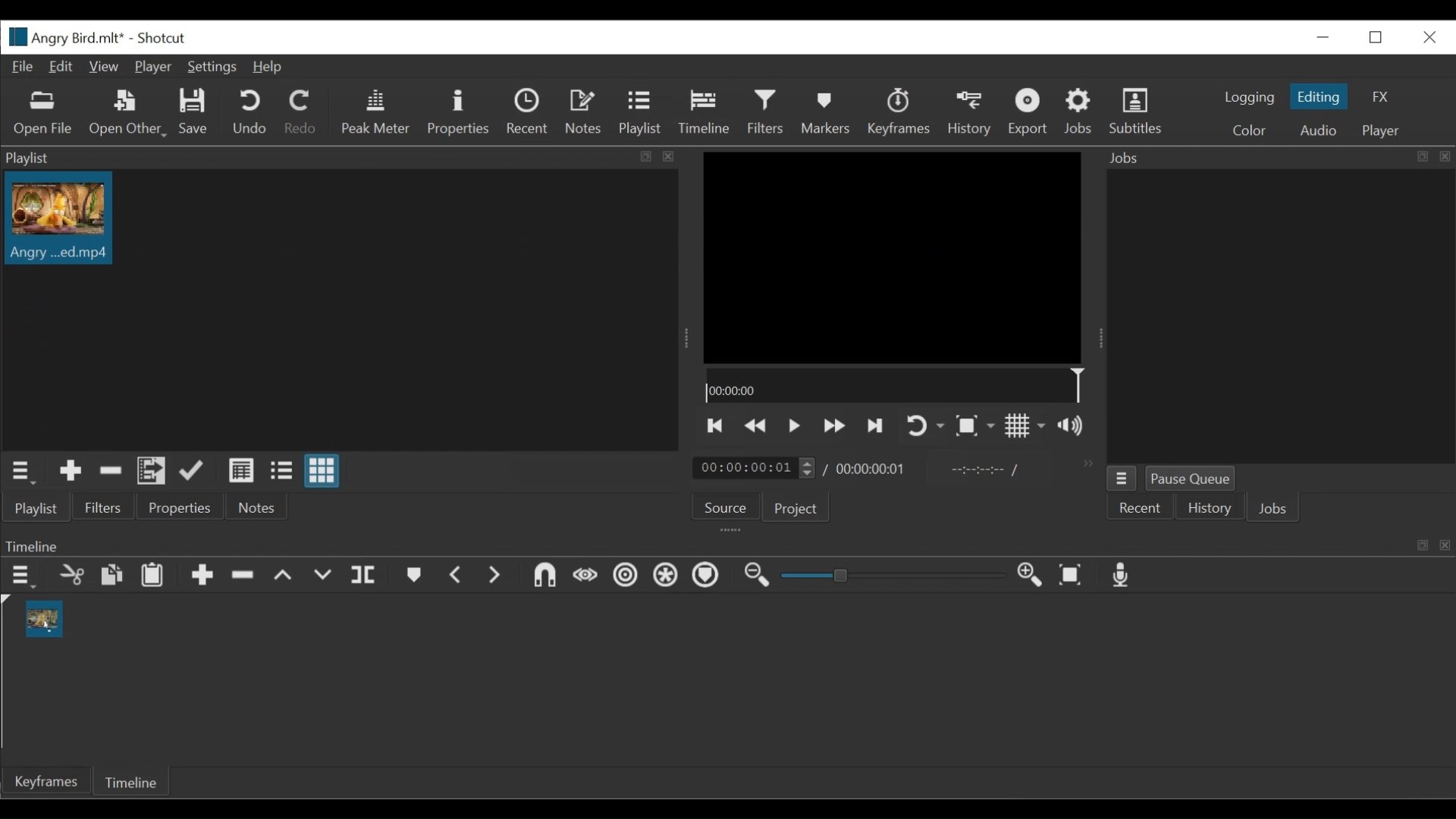 The width and height of the screenshot is (1456, 819). What do you see at coordinates (1122, 576) in the screenshot?
I see `Record audio` at bounding box center [1122, 576].